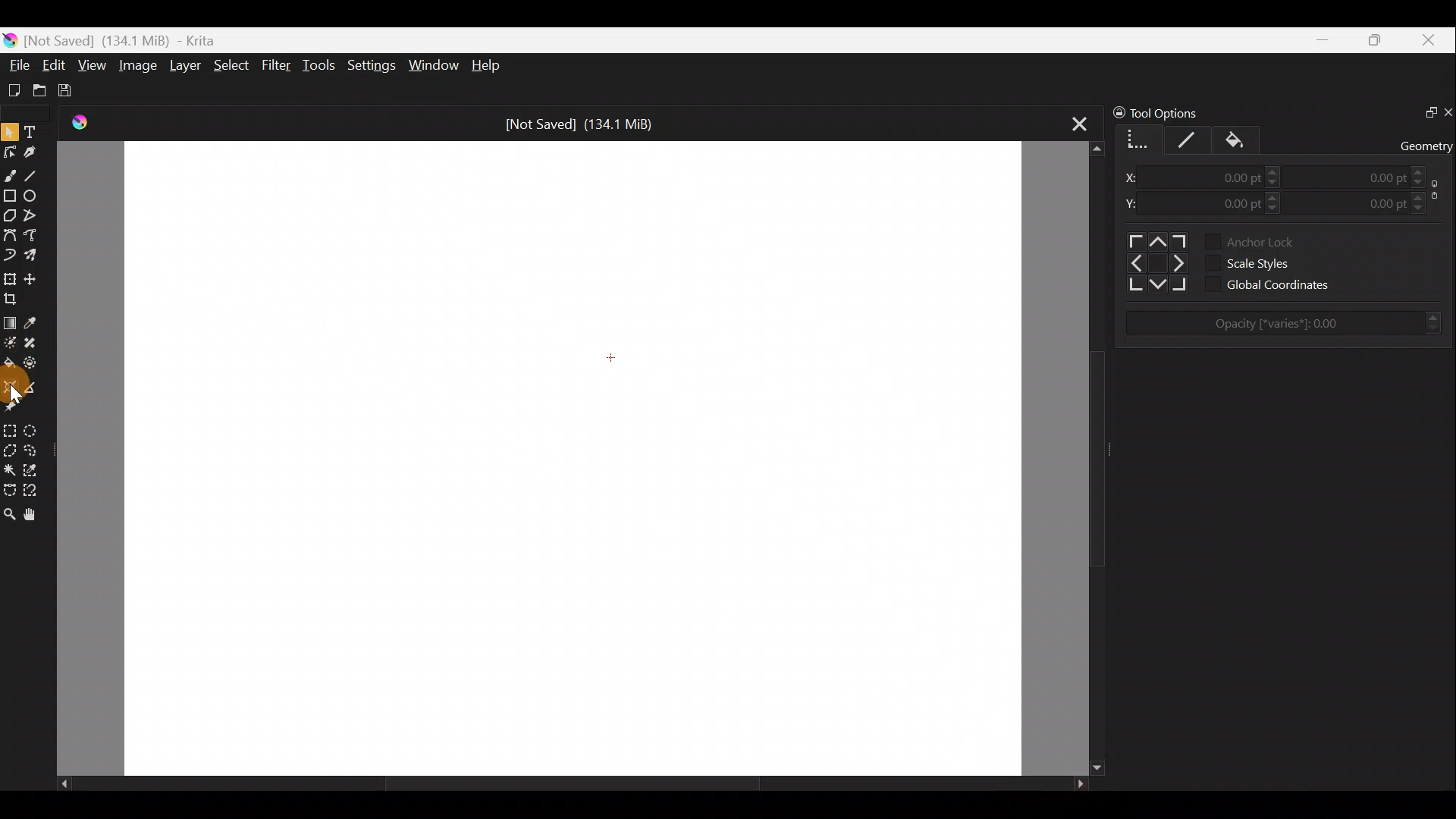  I want to click on Others, so click(1153, 262).